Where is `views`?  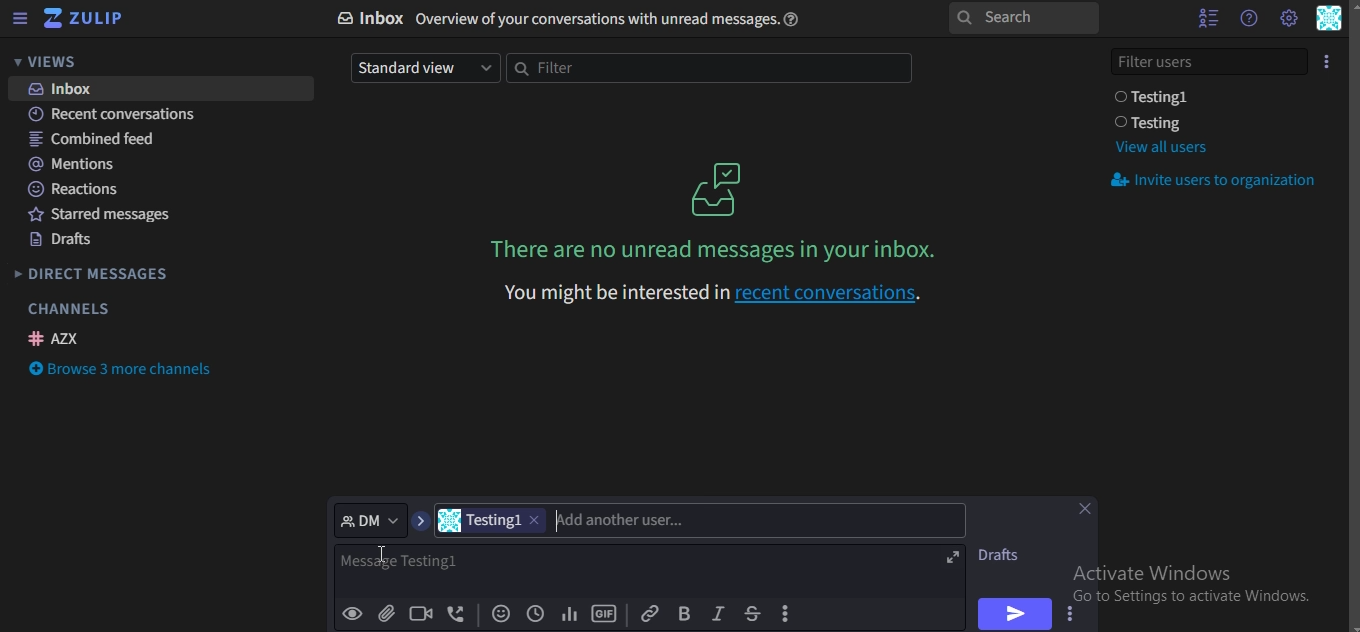
views is located at coordinates (55, 62).